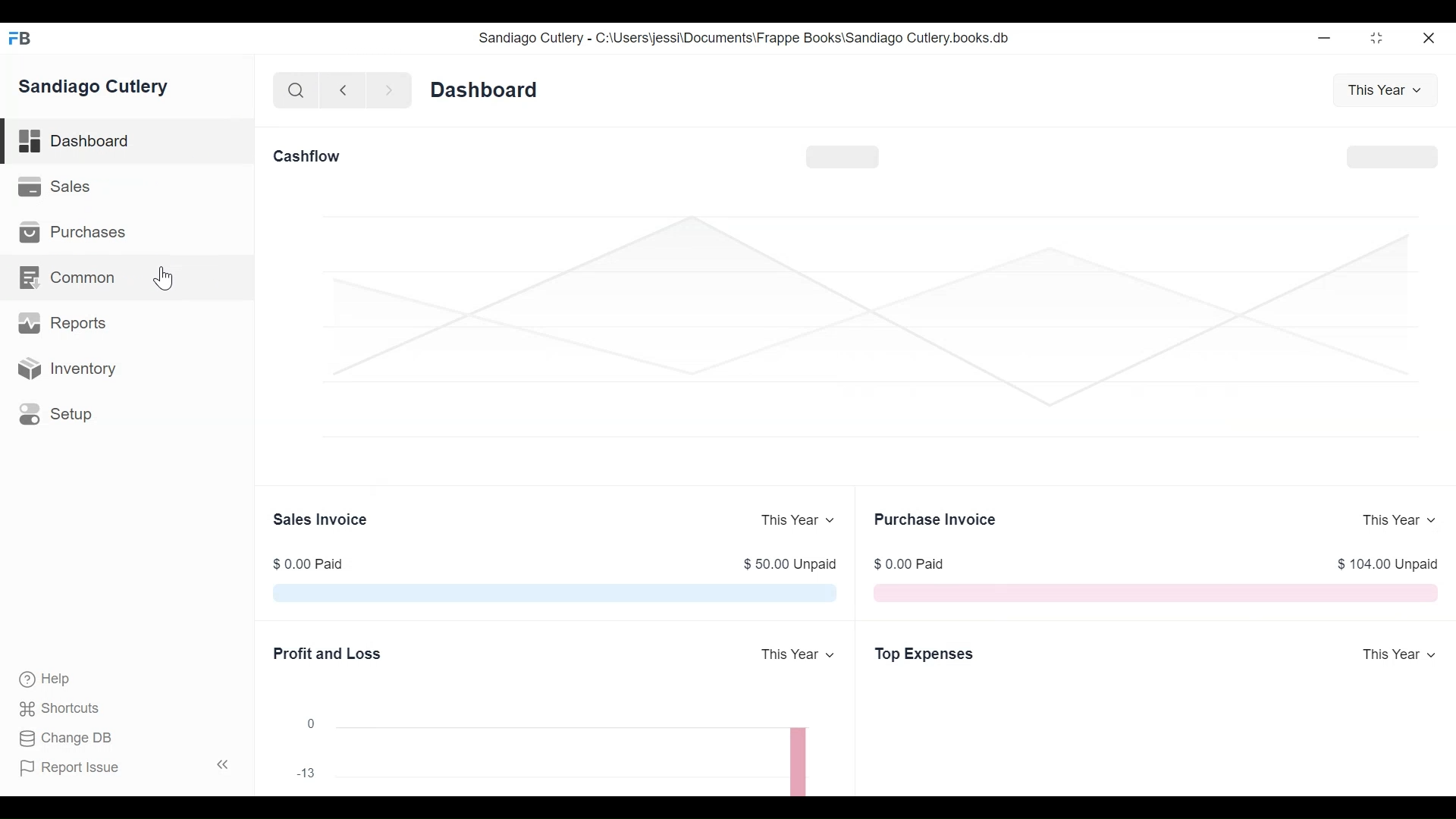 Image resolution: width=1456 pixels, height=819 pixels. Describe the element at coordinates (56, 413) in the screenshot. I see `Setup` at that location.